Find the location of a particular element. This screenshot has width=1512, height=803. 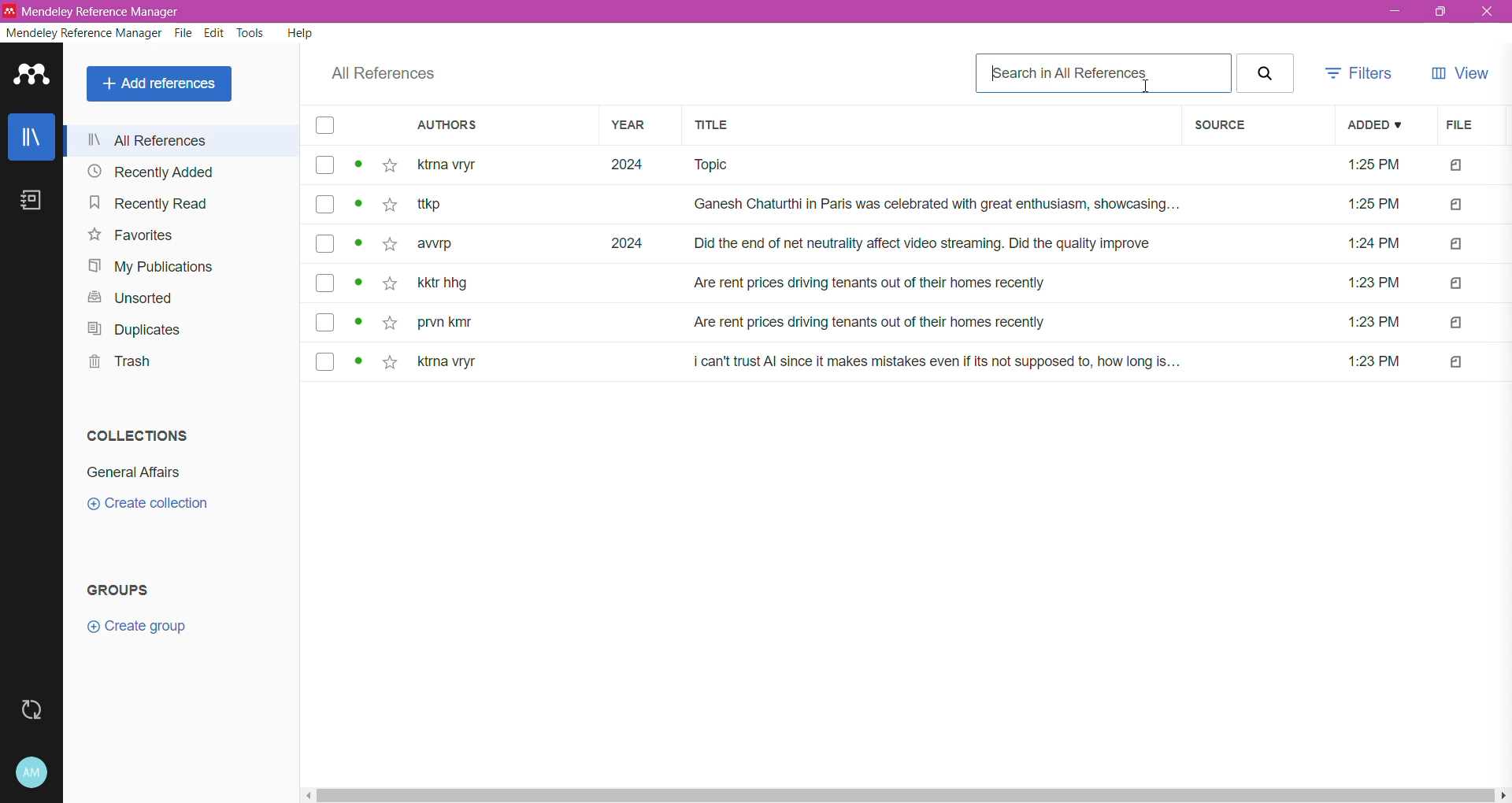

file type is located at coordinates (1458, 167).